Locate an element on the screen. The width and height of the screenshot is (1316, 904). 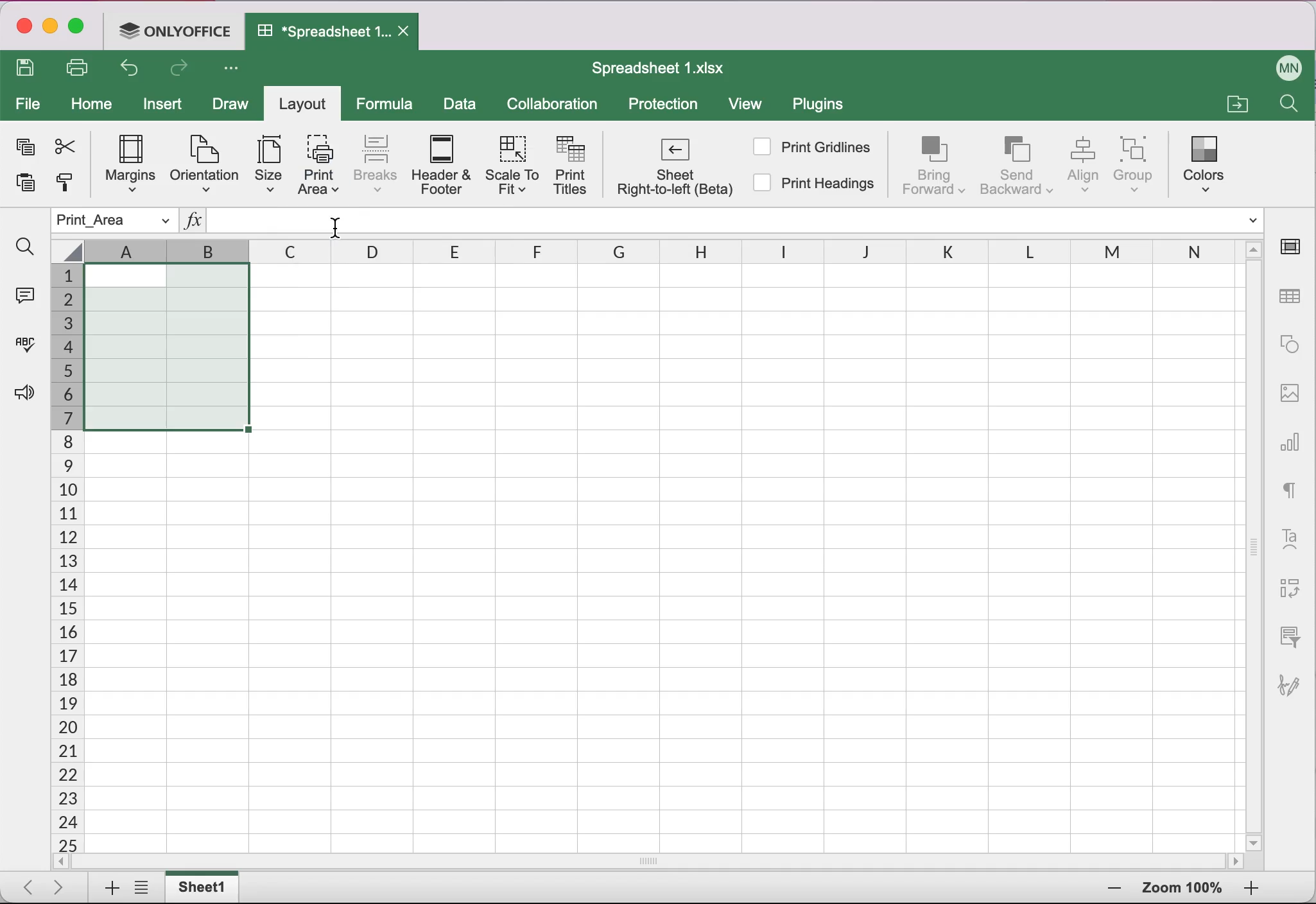
Scroll to first sheet is located at coordinates (24, 883).